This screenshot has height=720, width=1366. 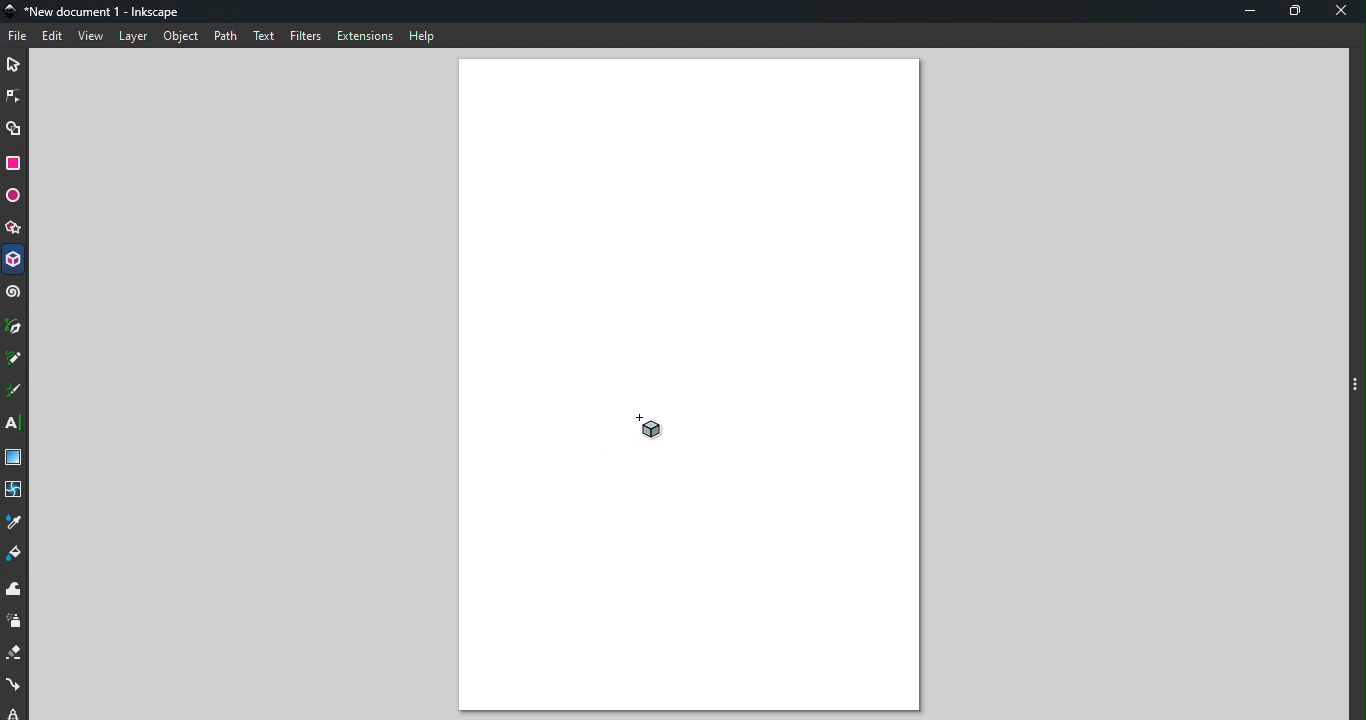 What do you see at coordinates (16, 328) in the screenshot?
I see `Pen tool` at bounding box center [16, 328].